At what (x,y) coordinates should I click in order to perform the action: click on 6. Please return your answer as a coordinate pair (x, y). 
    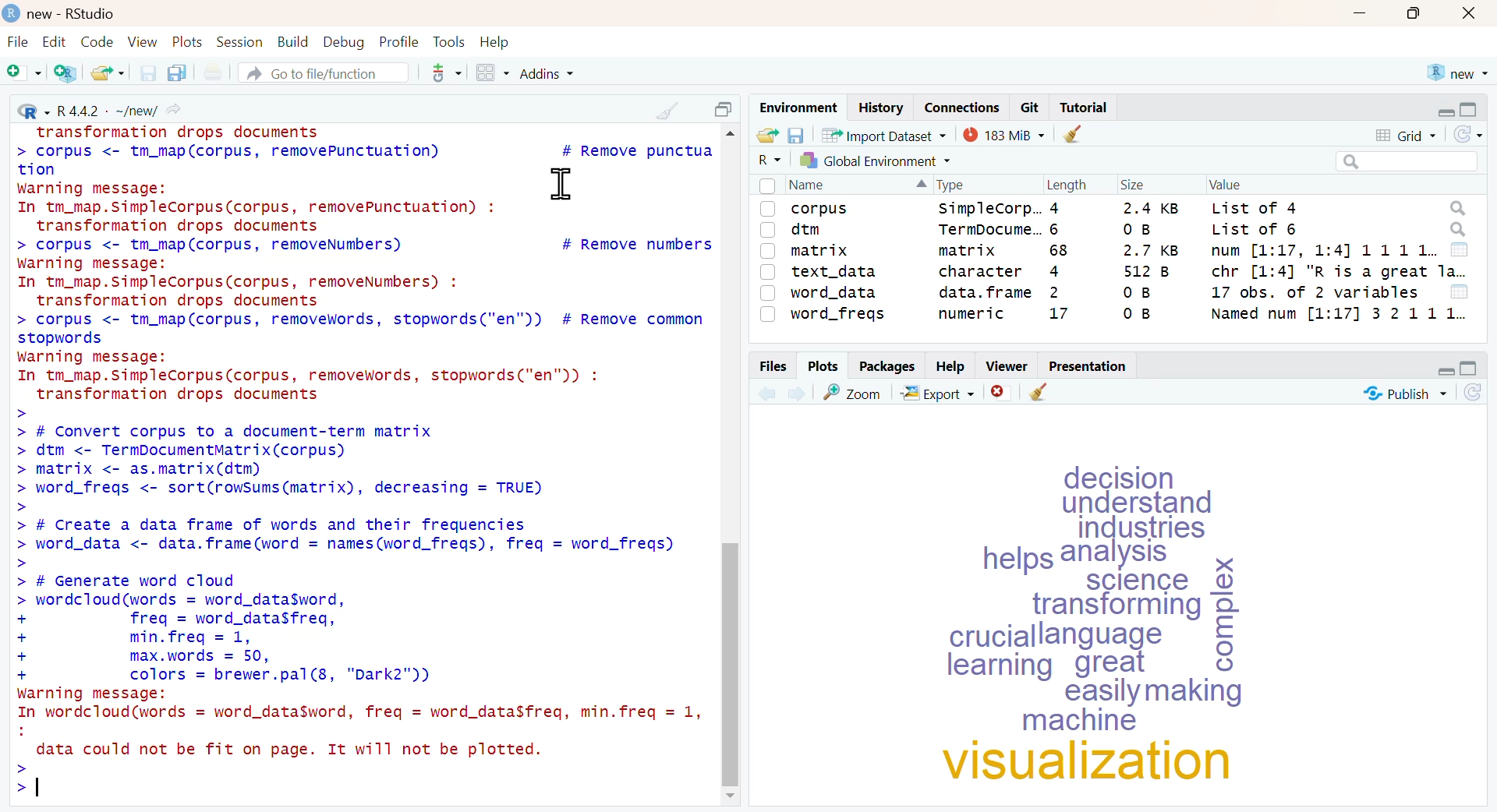
    Looking at the image, I should click on (1057, 228).